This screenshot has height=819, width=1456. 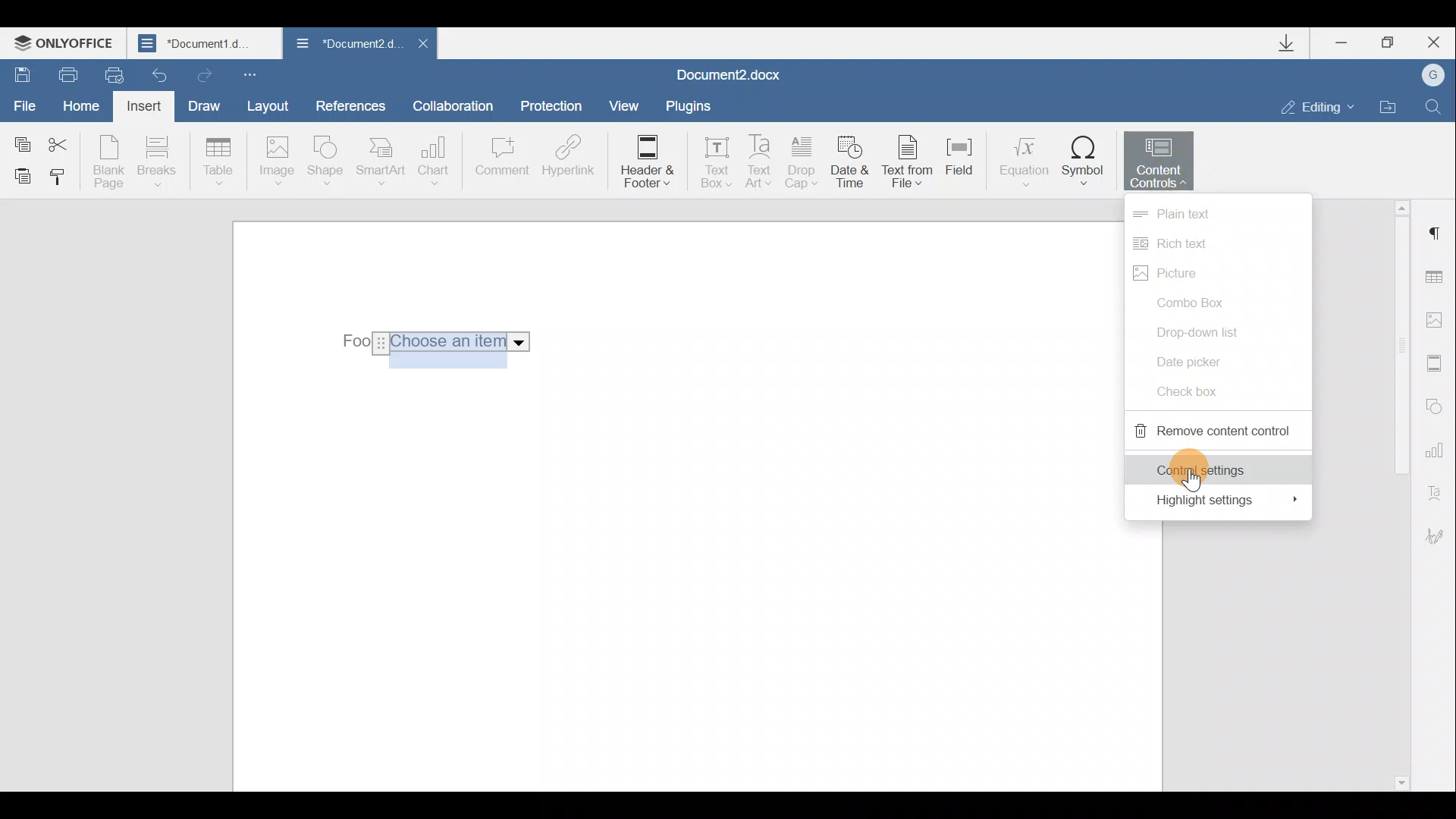 What do you see at coordinates (852, 165) in the screenshot?
I see `Date & time` at bounding box center [852, 165].